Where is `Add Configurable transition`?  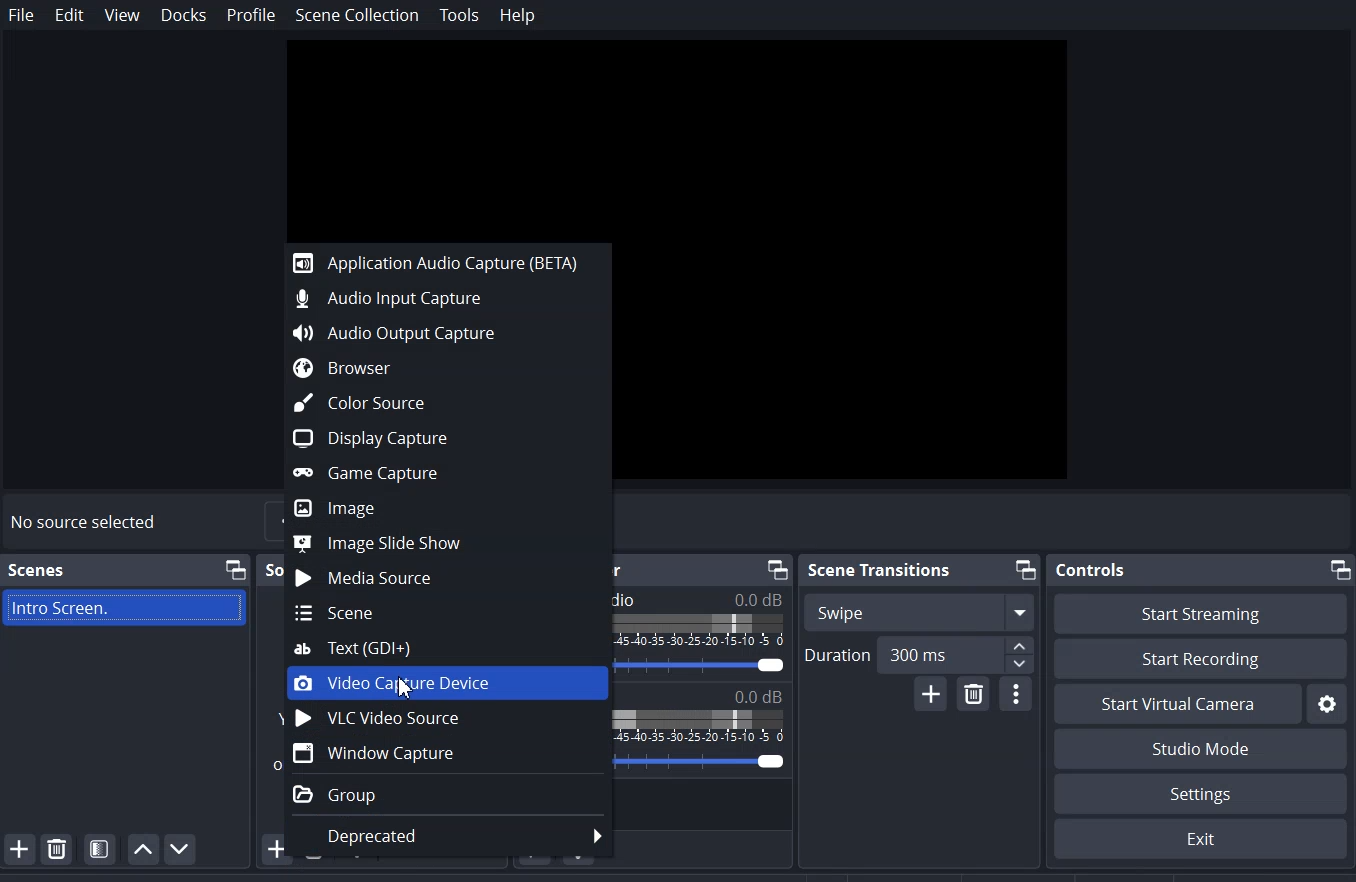 Add Configurable transition is located at coordinates (931, 694).